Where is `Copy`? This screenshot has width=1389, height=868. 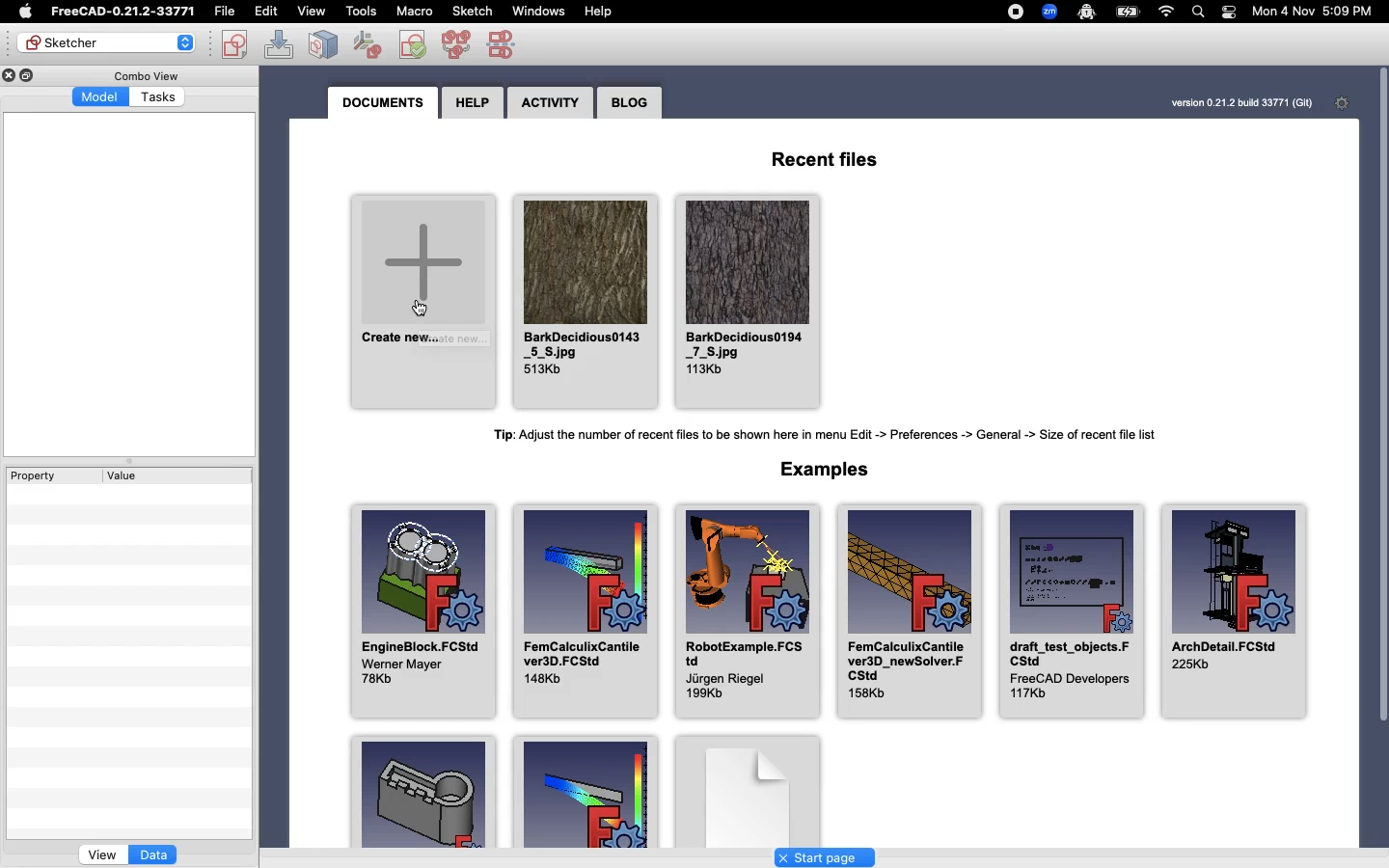
Copy is located at coordinates (29, 75).